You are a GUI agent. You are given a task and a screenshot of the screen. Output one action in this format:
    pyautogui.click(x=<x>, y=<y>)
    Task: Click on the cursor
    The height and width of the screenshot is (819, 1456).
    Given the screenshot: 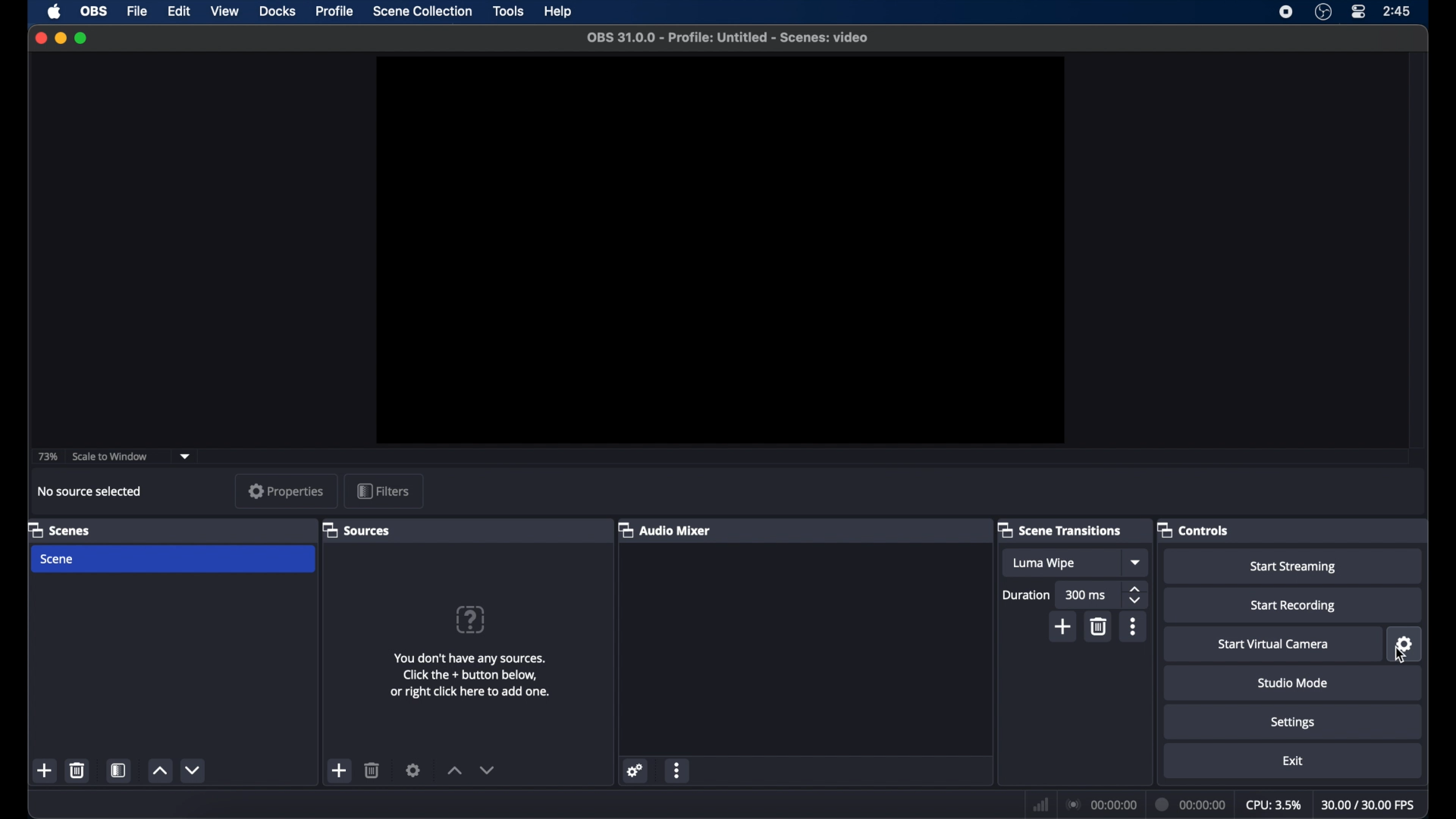 What is the action you would take?
    pyautogui.click(x=1400, y=654)
    